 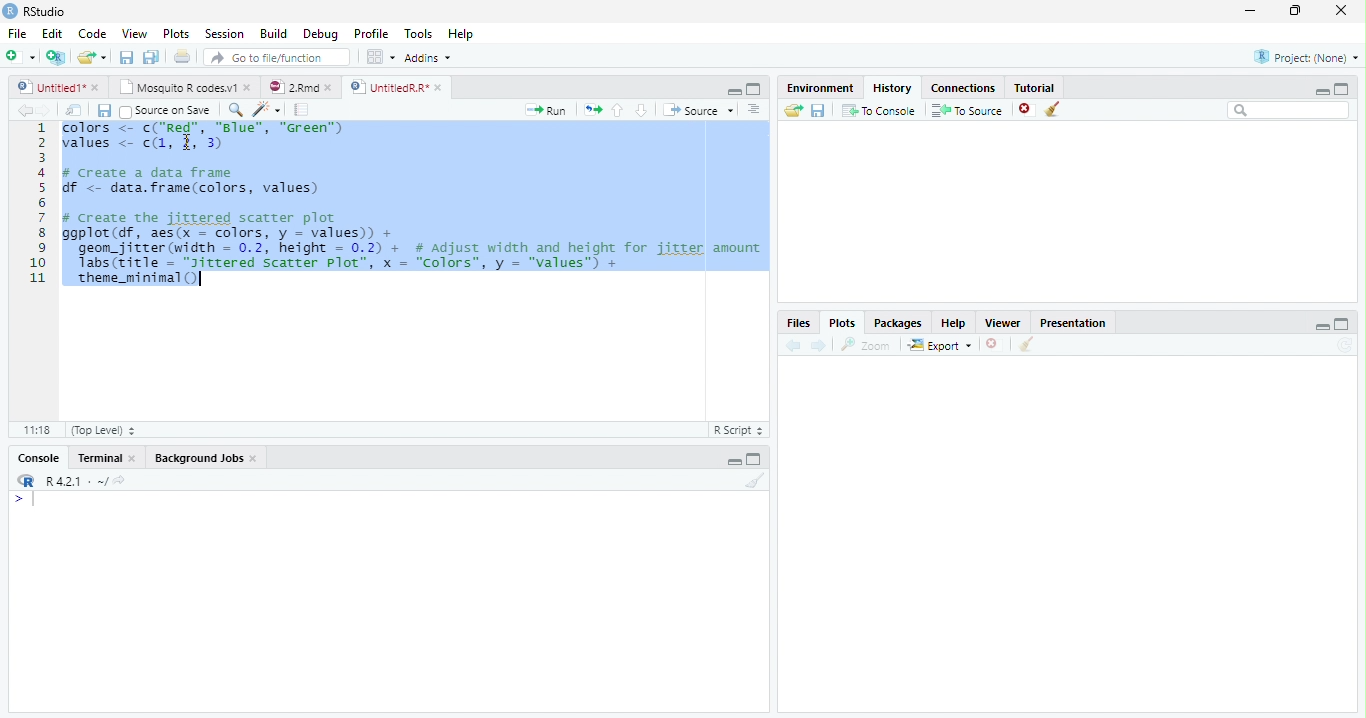 What do you see at coordinates (152, 57) in the screenshot?
I see `Save all open documents` at bounding box center [152, 57].